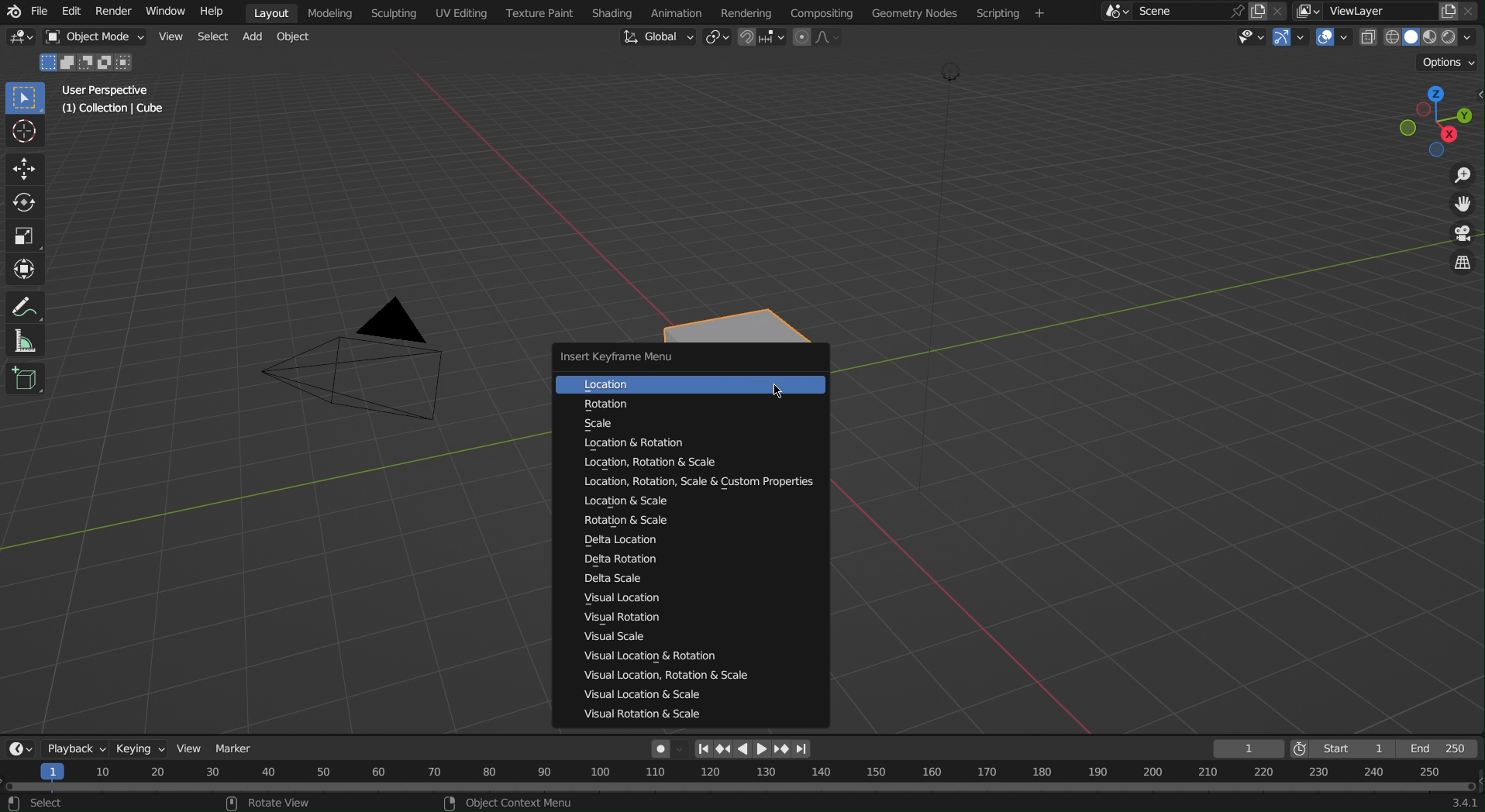 The height and width of the screenshot is (812, 1485). What do you see at coordinates (294, 36) in the screenshot?
I see `Object` at bounding box center [294, 36].